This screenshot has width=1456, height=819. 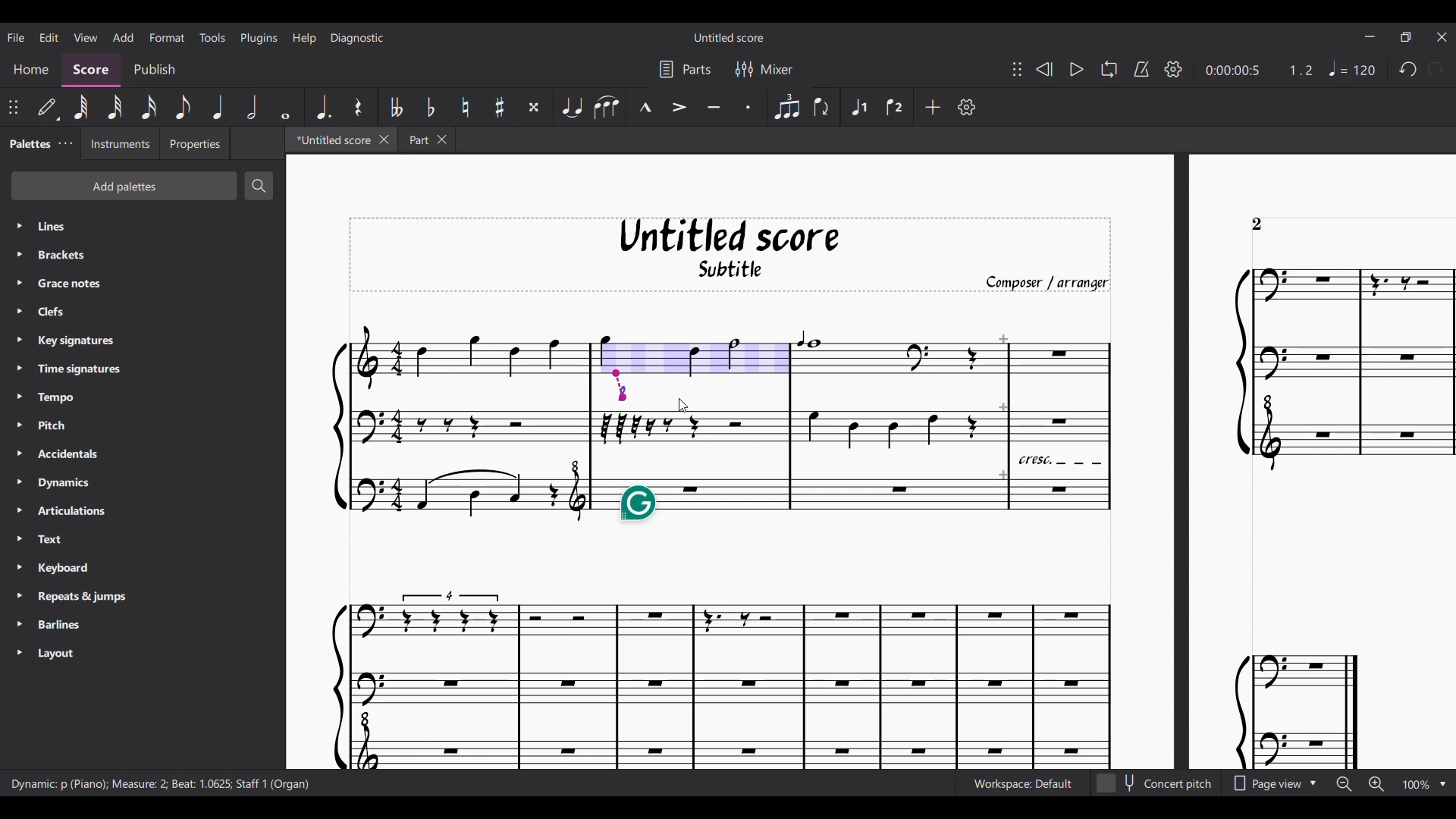 What do you see at coordinates (259, 186) in the screenshot?
I see `Search palette` at bounding box center [259, 186].